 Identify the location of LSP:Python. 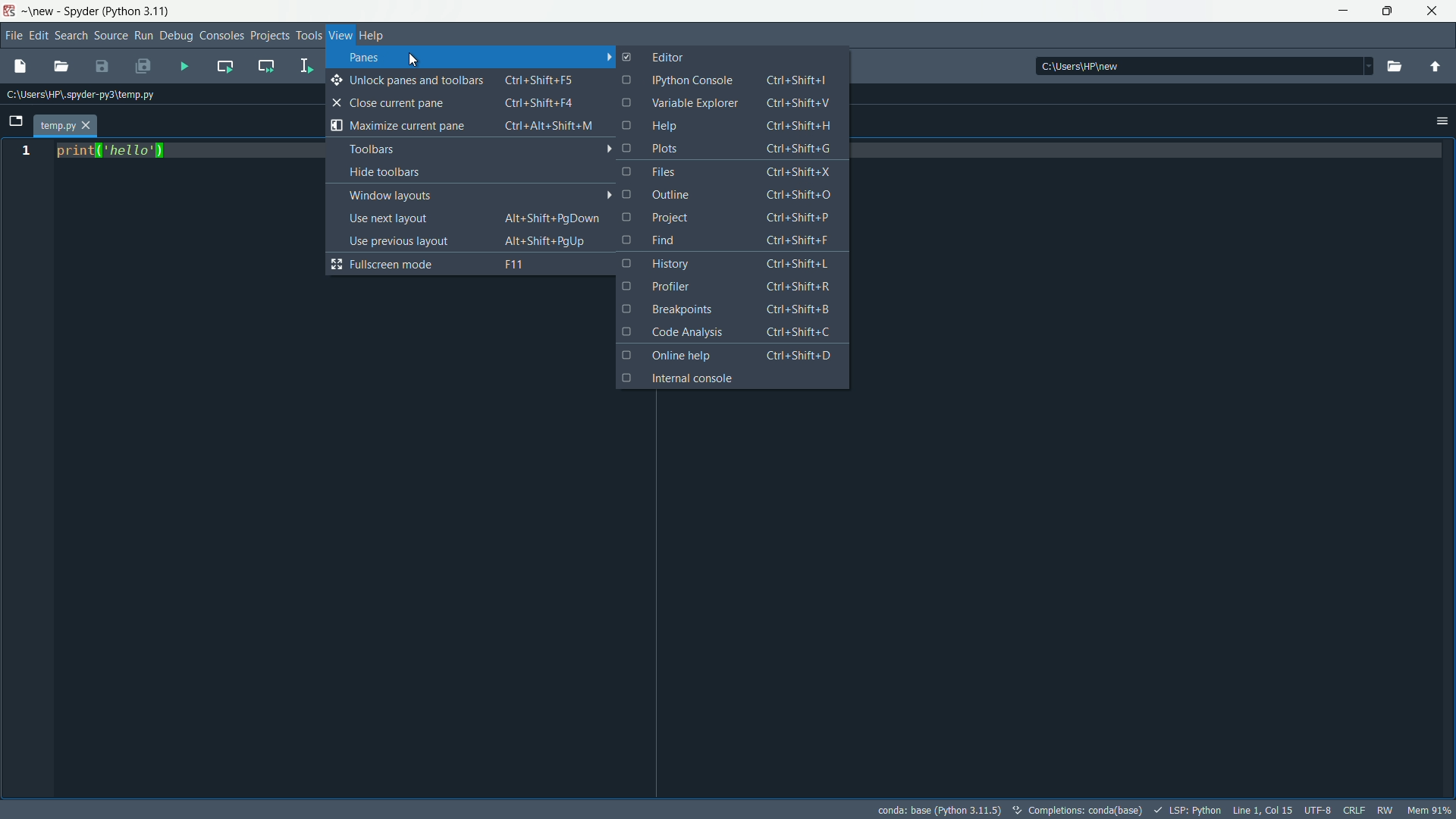
(1189, 811).